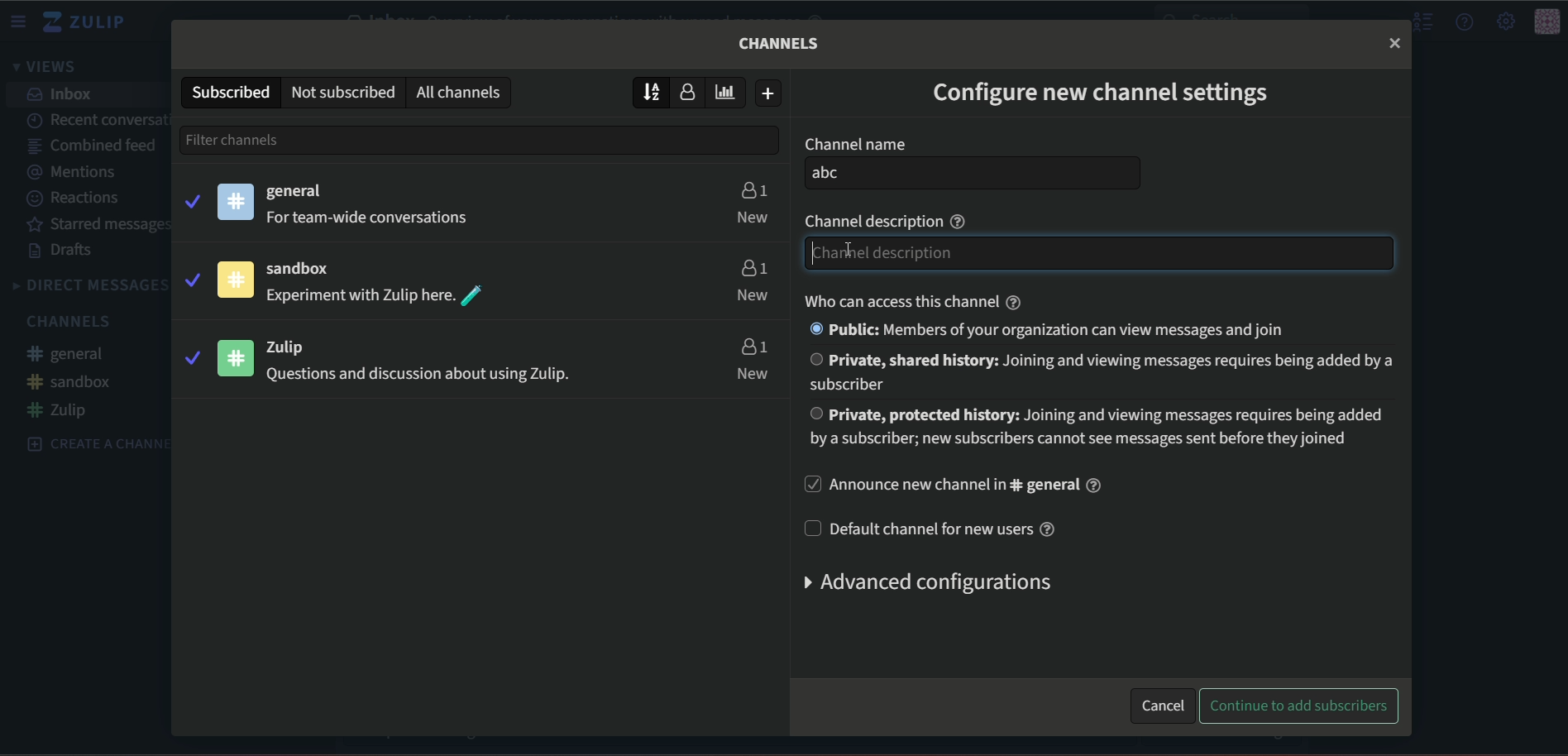 The height and width of the screenshot is (756, 1568). What do you see at coordinates (1547, 22) in the screenshot?
I see `icon` at bounding box center [1547, 22].